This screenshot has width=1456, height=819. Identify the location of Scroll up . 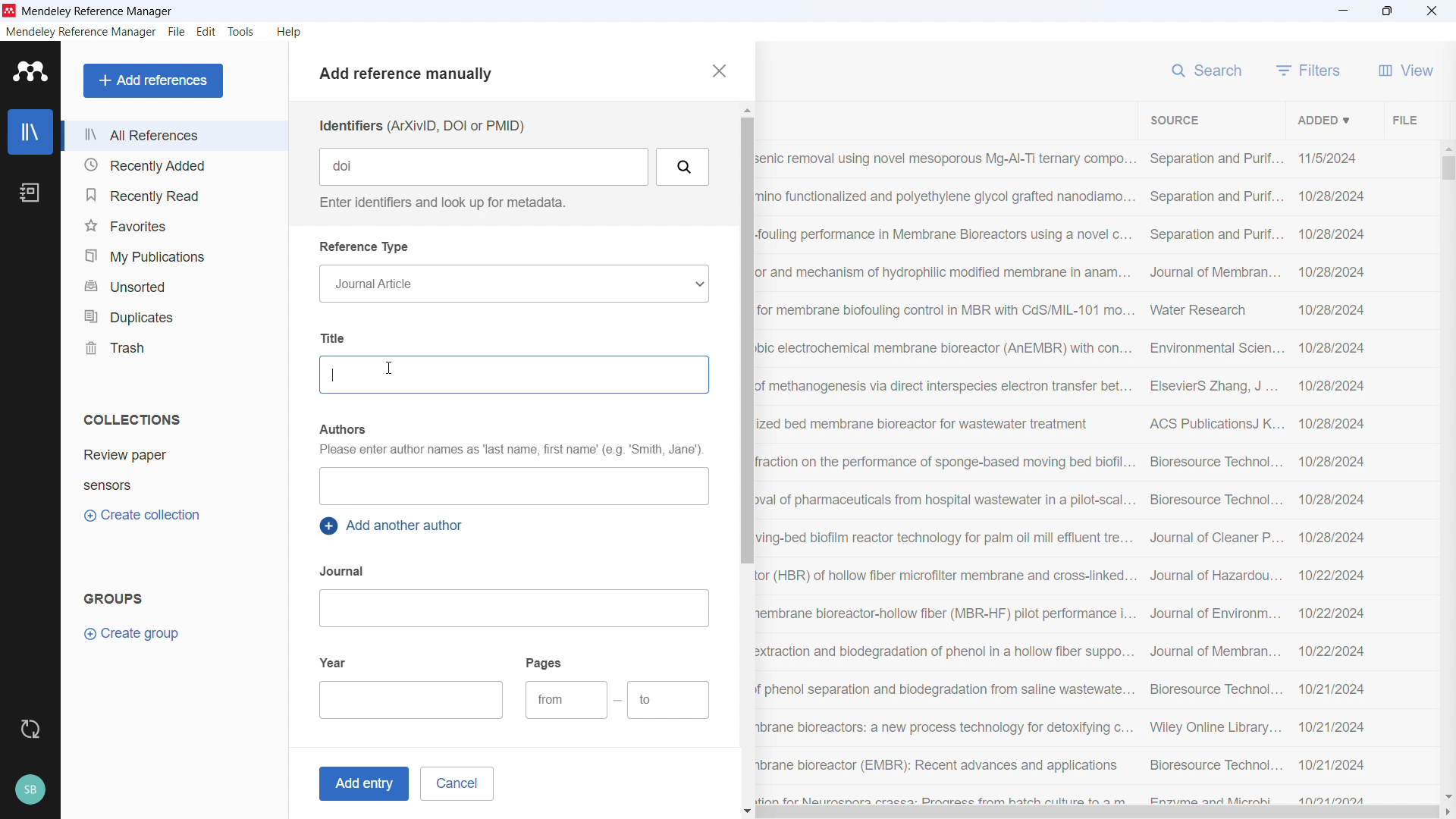
(1447, 147).